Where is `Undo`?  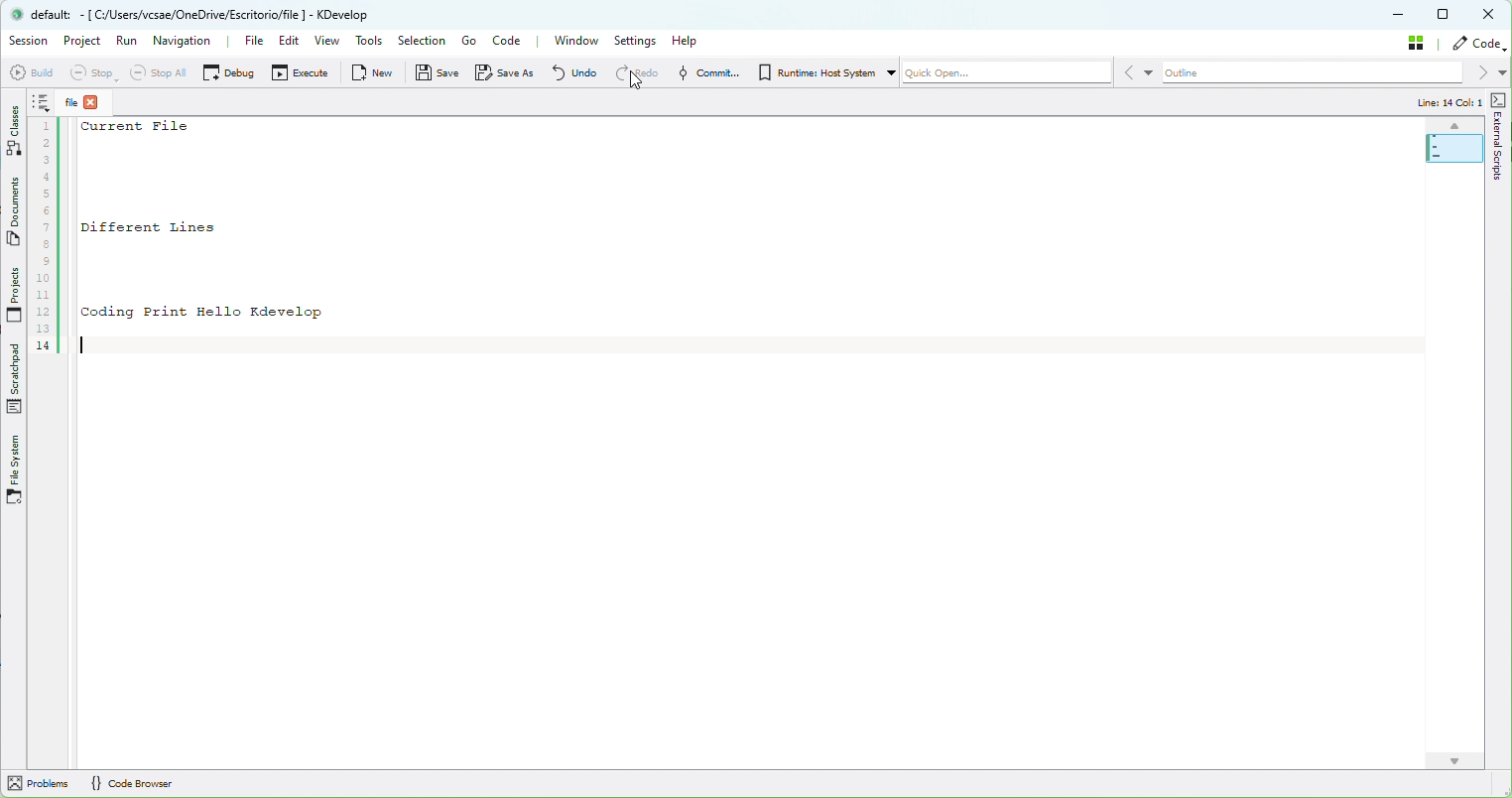 Undo is located at coordinates (579, 71).